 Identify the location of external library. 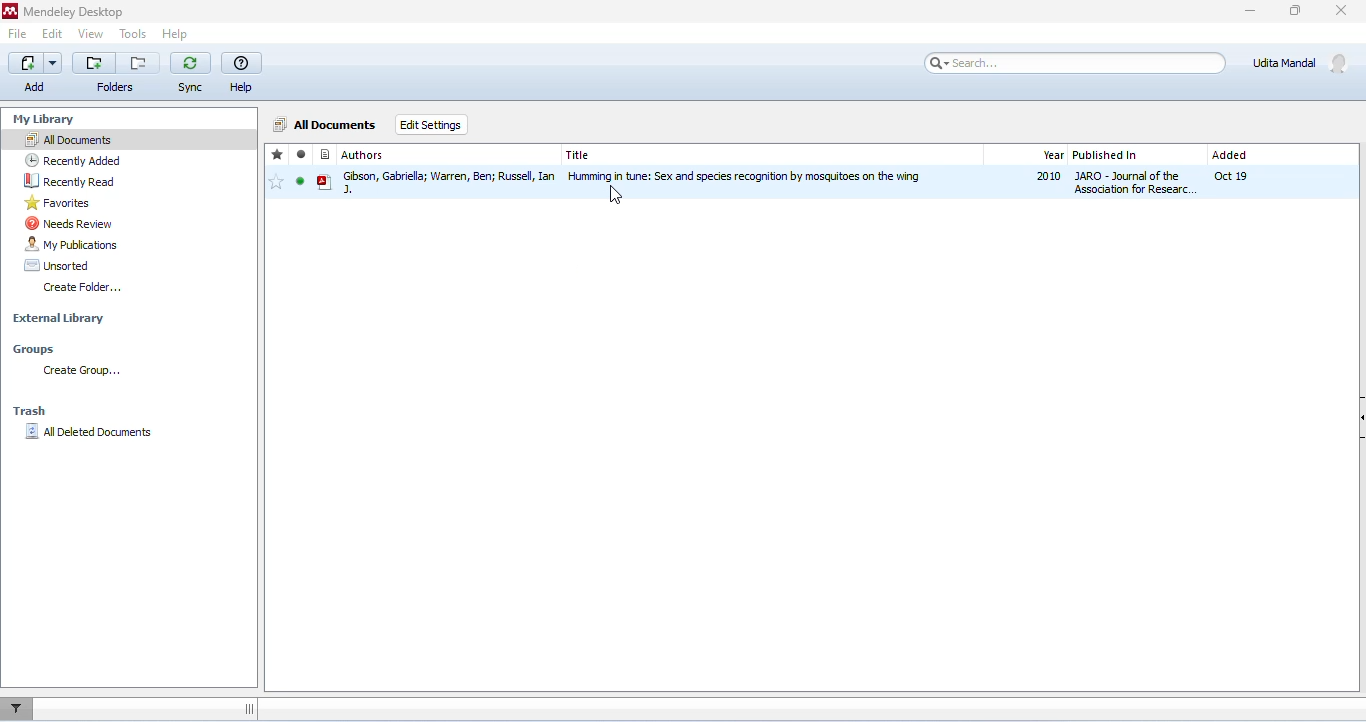
(60, 319).